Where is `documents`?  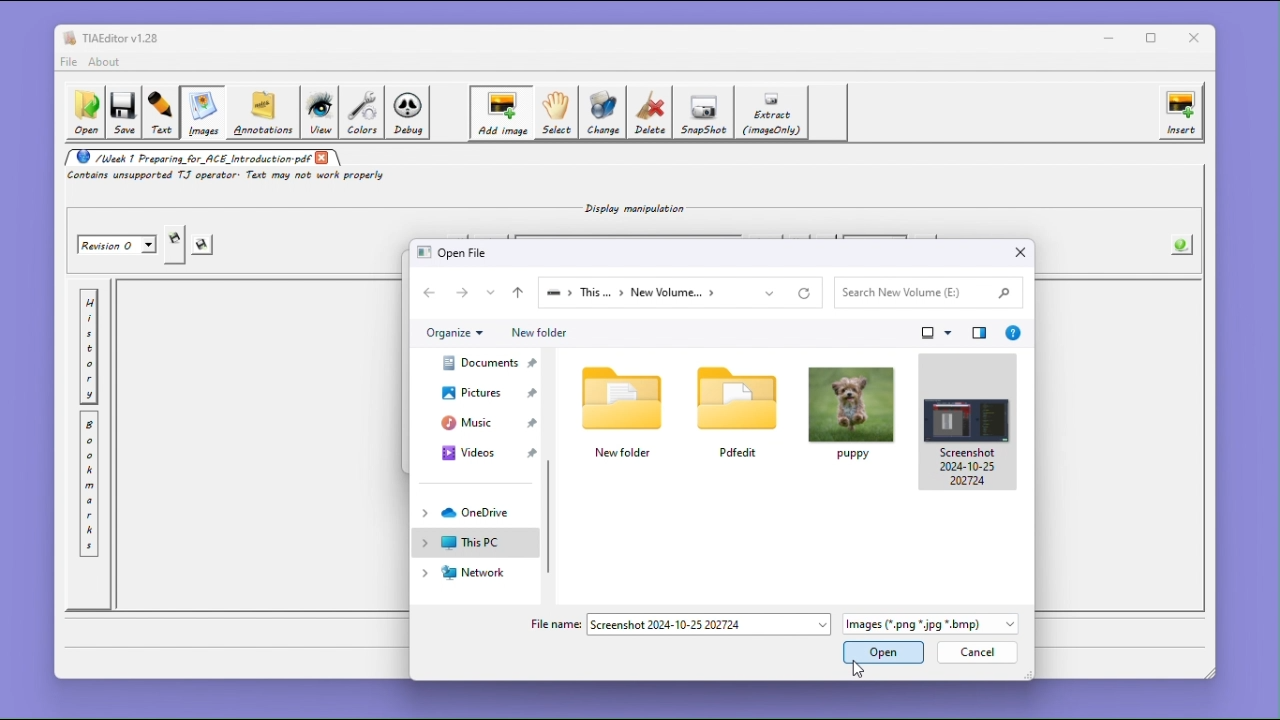 documents is located at coordinates (480, 362).